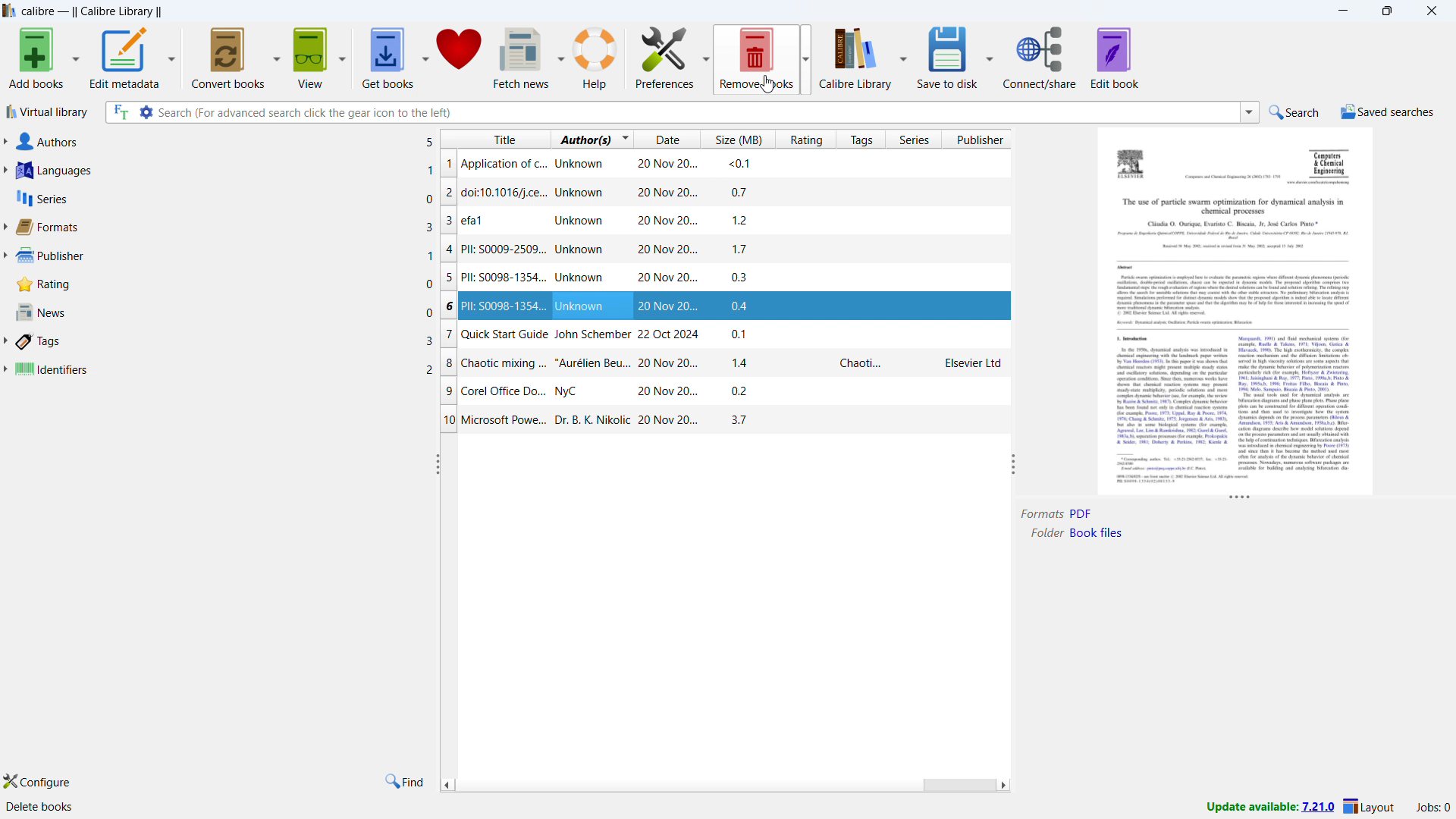 The image size is (1456, 819). Describe the element at coordinates (1318, 808) in the screenshot. I see `7.21.0` at that location.